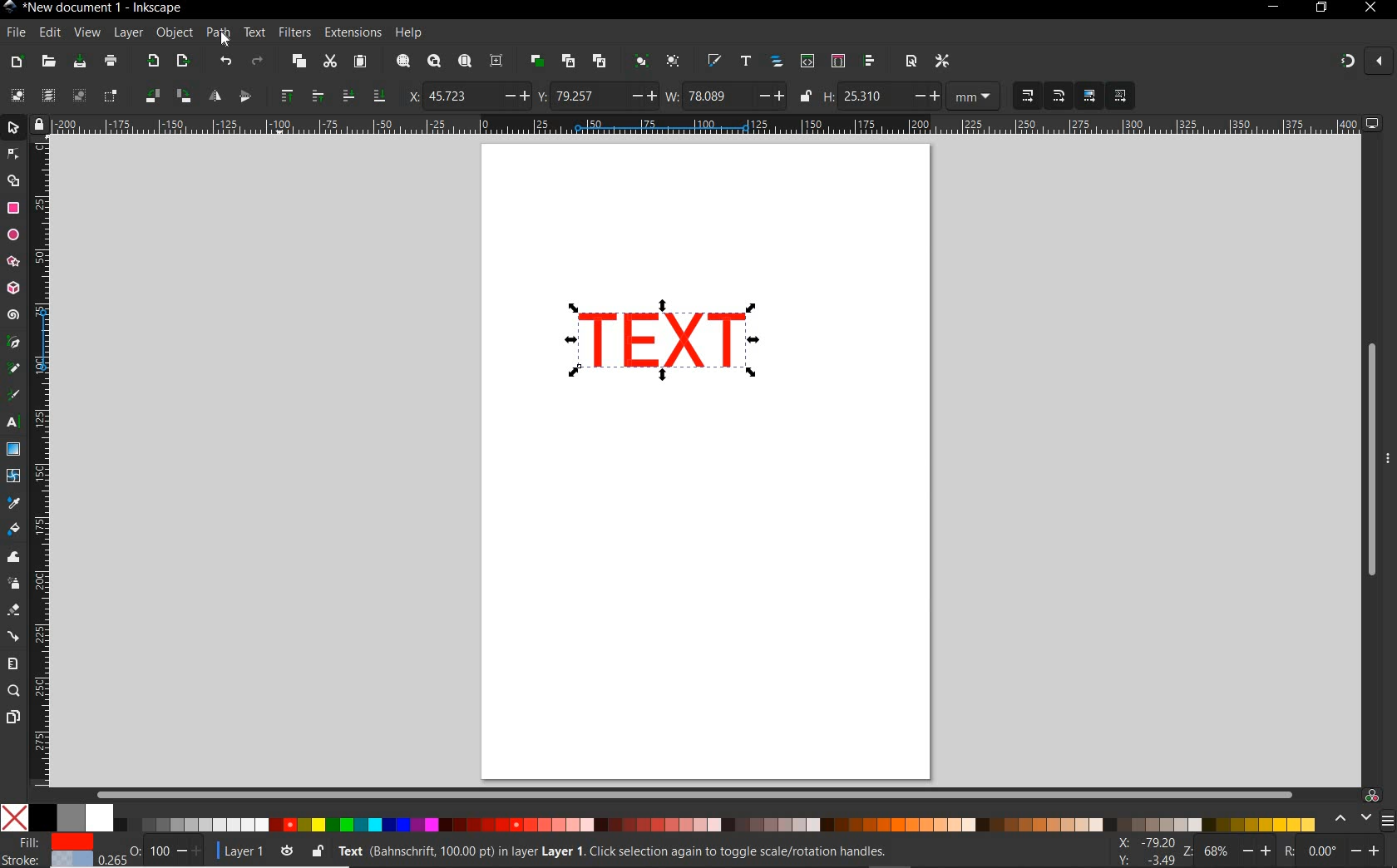 The image size is (1397, 868). I want to click on IMPORT, so click(151, 62).